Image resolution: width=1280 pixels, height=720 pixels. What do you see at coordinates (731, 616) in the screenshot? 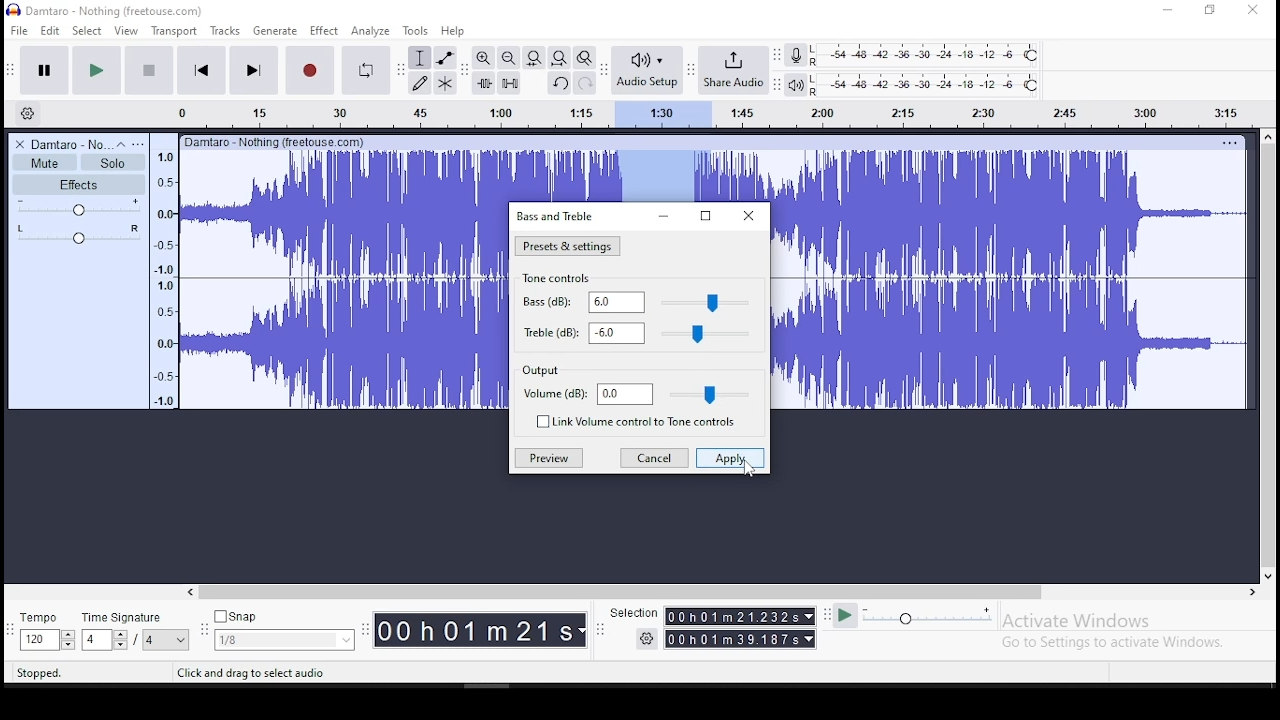
I see `00Oh01m 21.232` at bounding box center [731, 616].